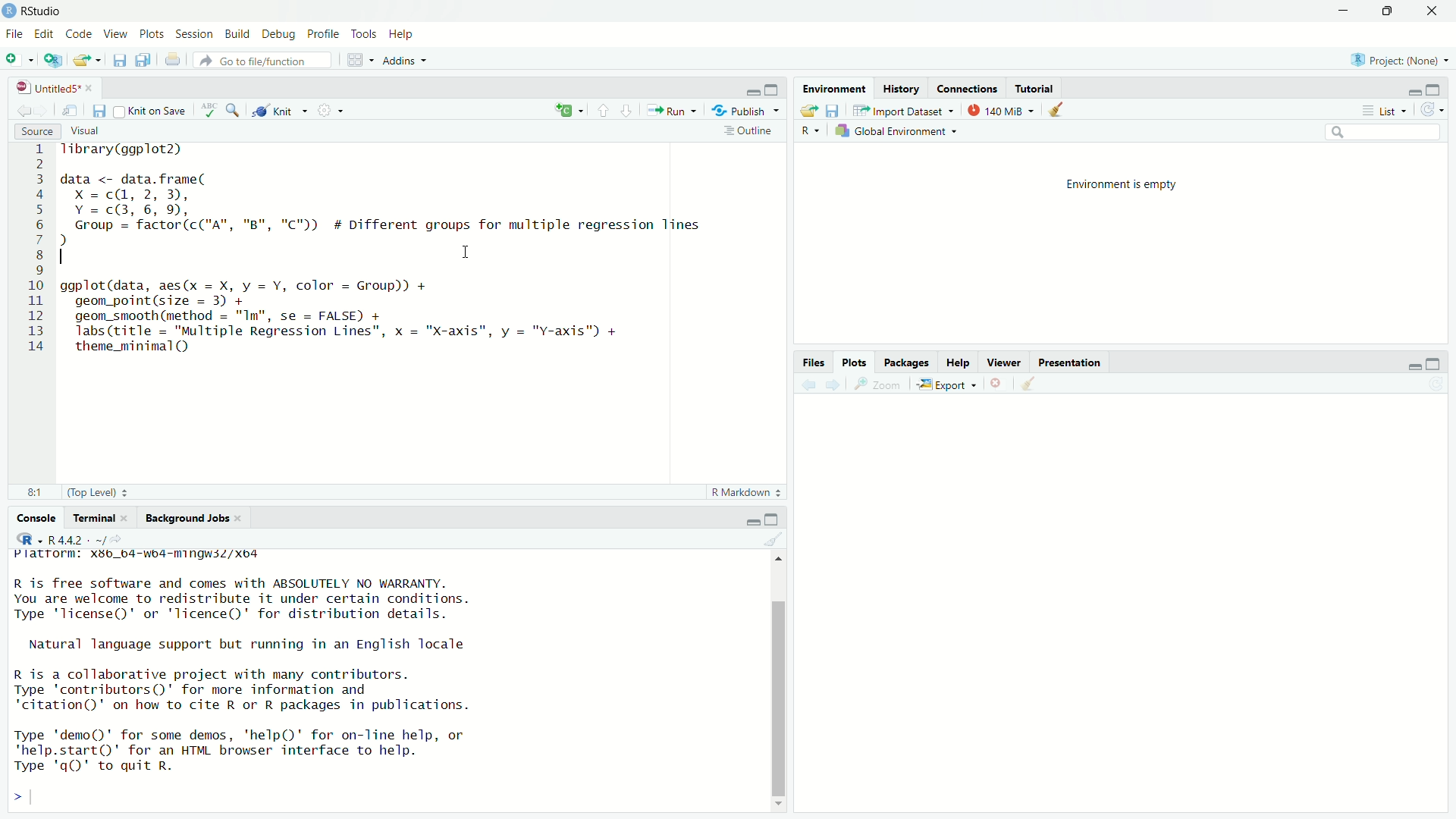  I want to click on refresh, so click(1440, 385).